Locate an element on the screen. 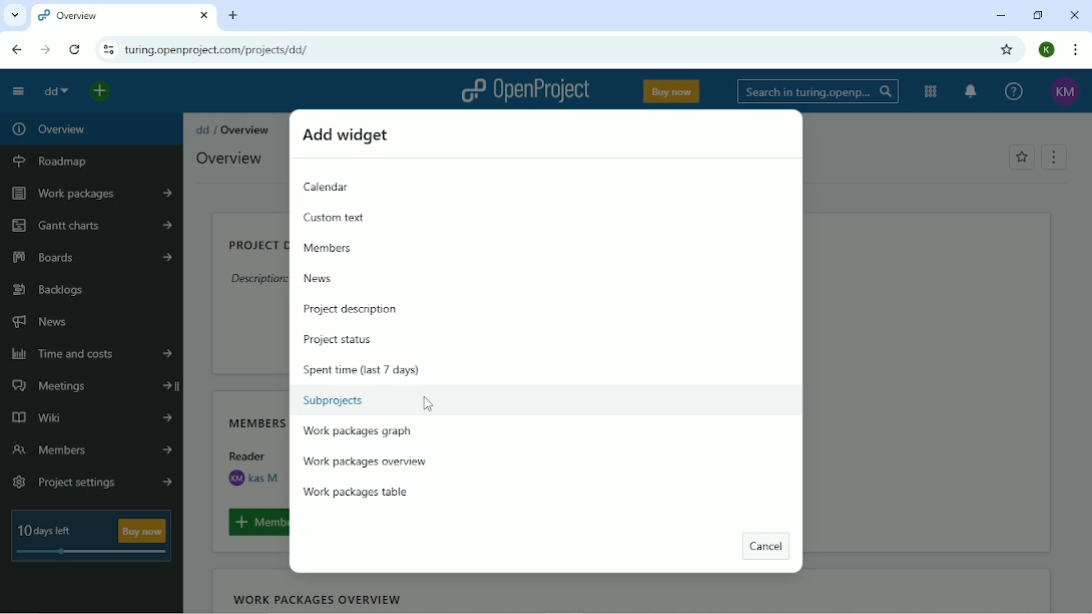  Overview is located at coordinates (246, 130).